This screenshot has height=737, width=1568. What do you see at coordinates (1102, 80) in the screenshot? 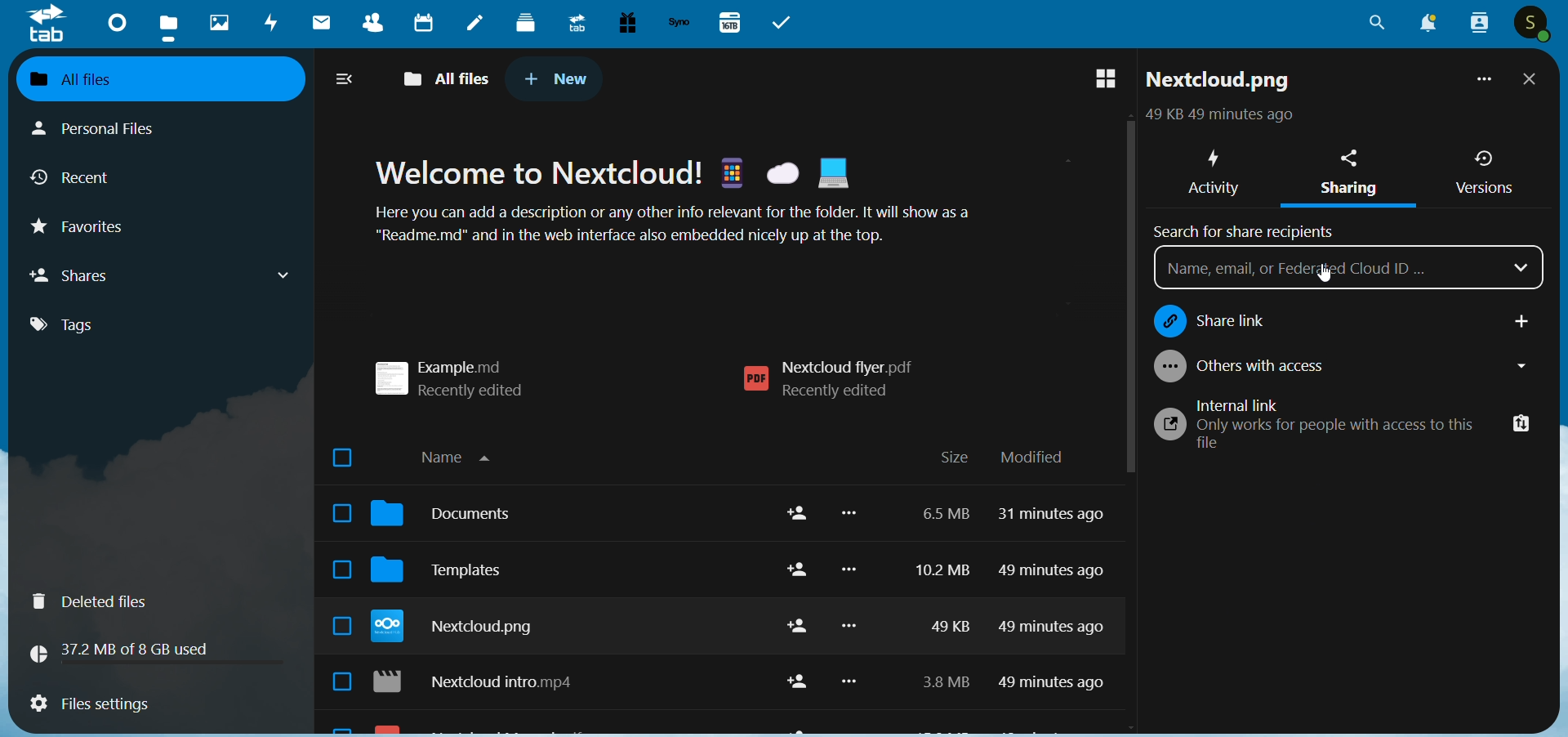
I see `view` at bounding box center [1102, 80].